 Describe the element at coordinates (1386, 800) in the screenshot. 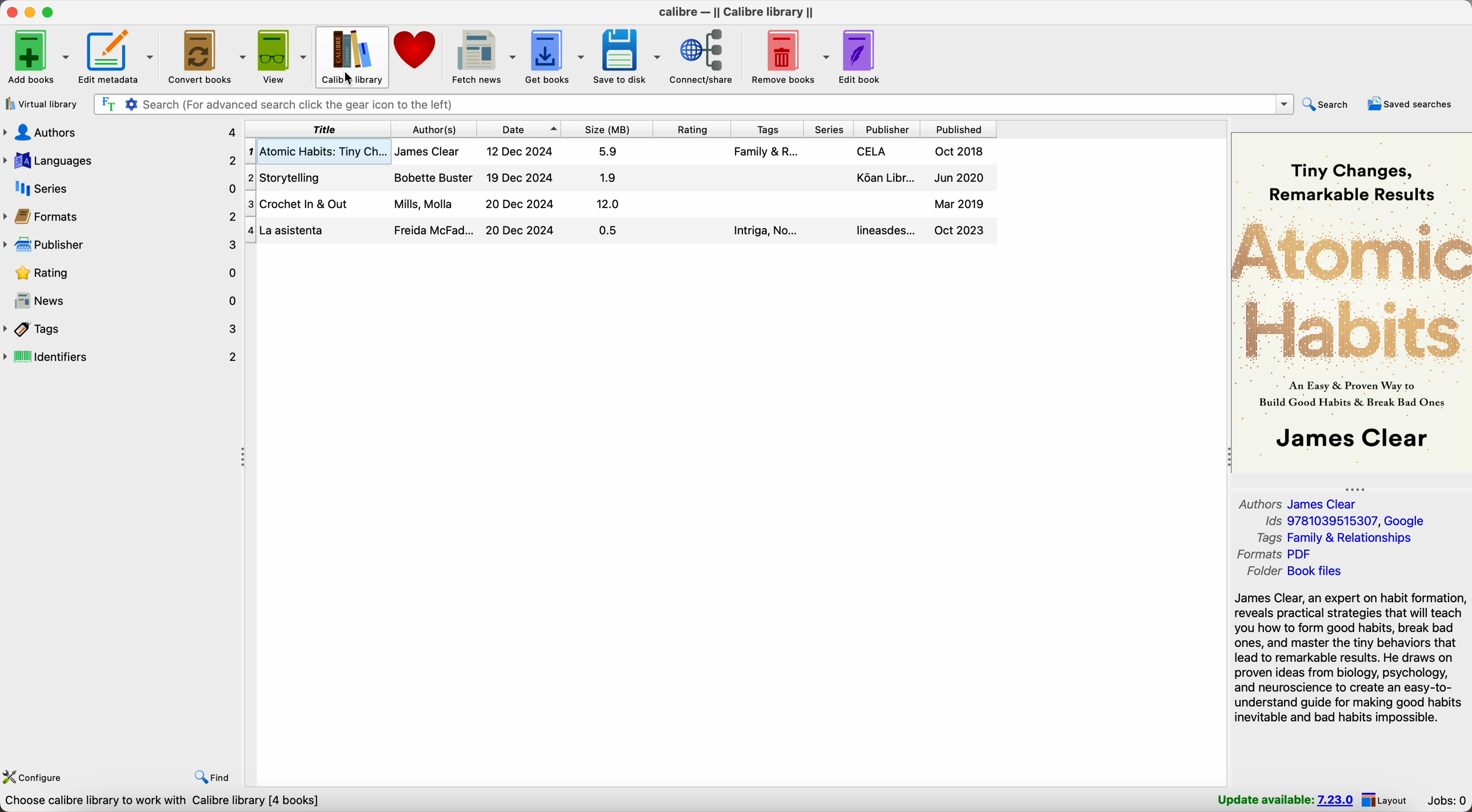

I see `layout` at that location.